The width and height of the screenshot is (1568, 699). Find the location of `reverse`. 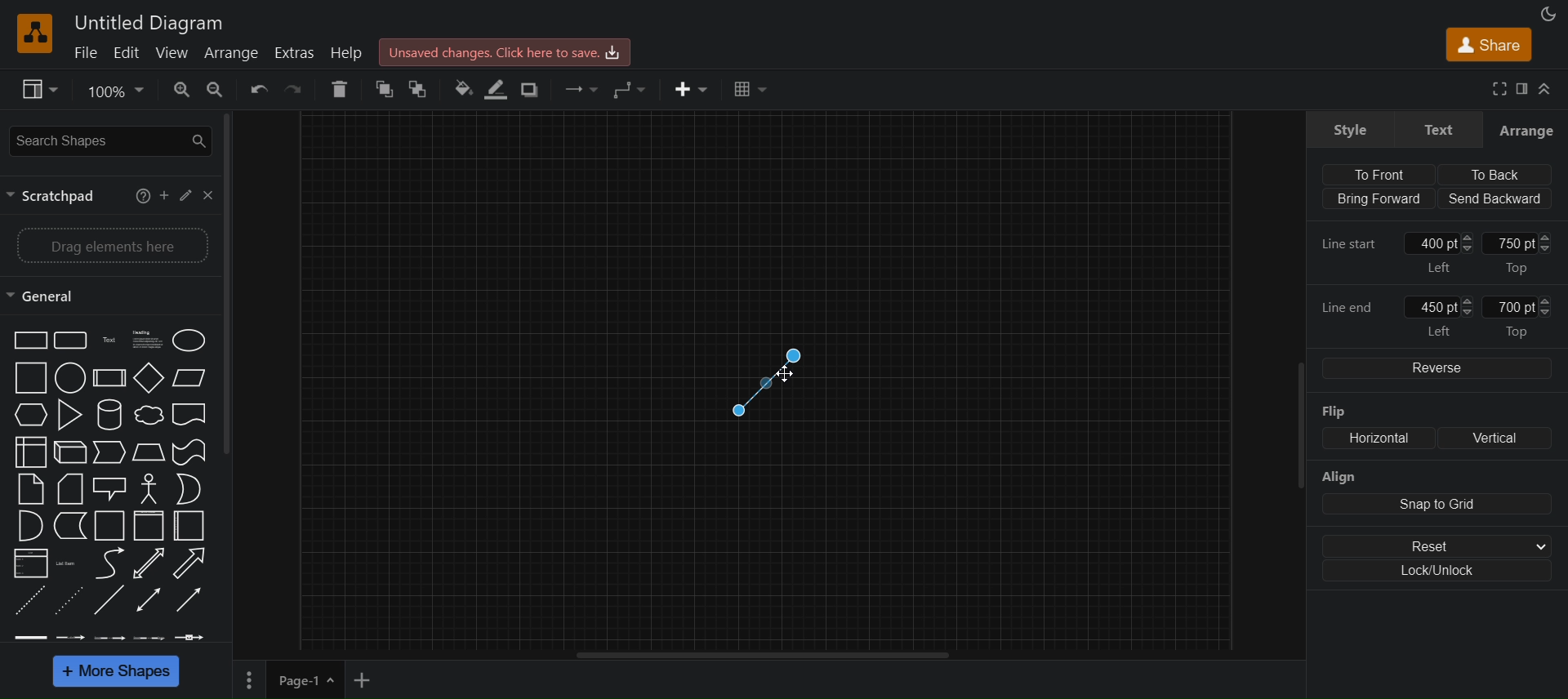

reverse is located at coordinates (1434, 367).